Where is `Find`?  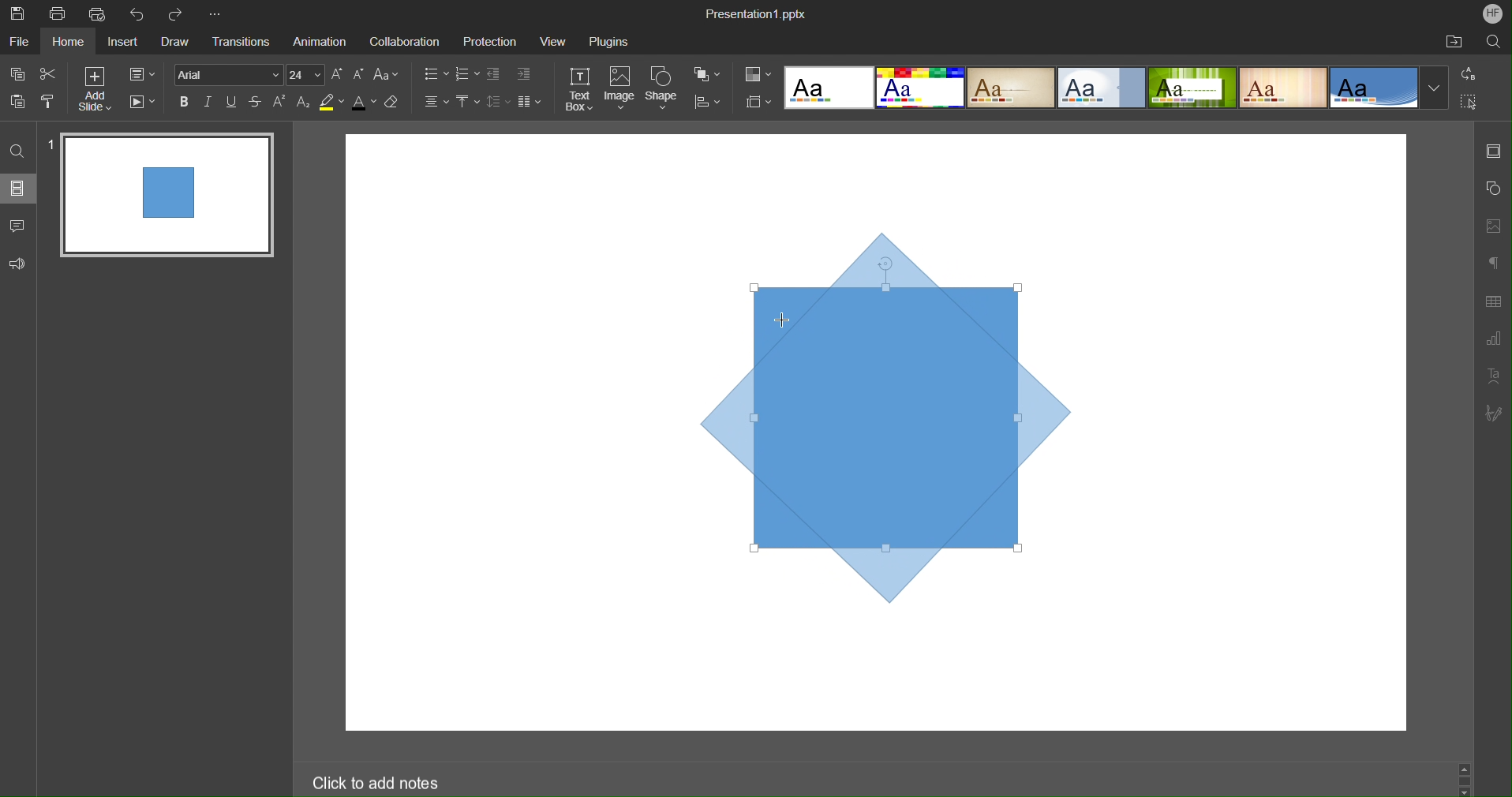
Find is located at coordinates (18, 152).